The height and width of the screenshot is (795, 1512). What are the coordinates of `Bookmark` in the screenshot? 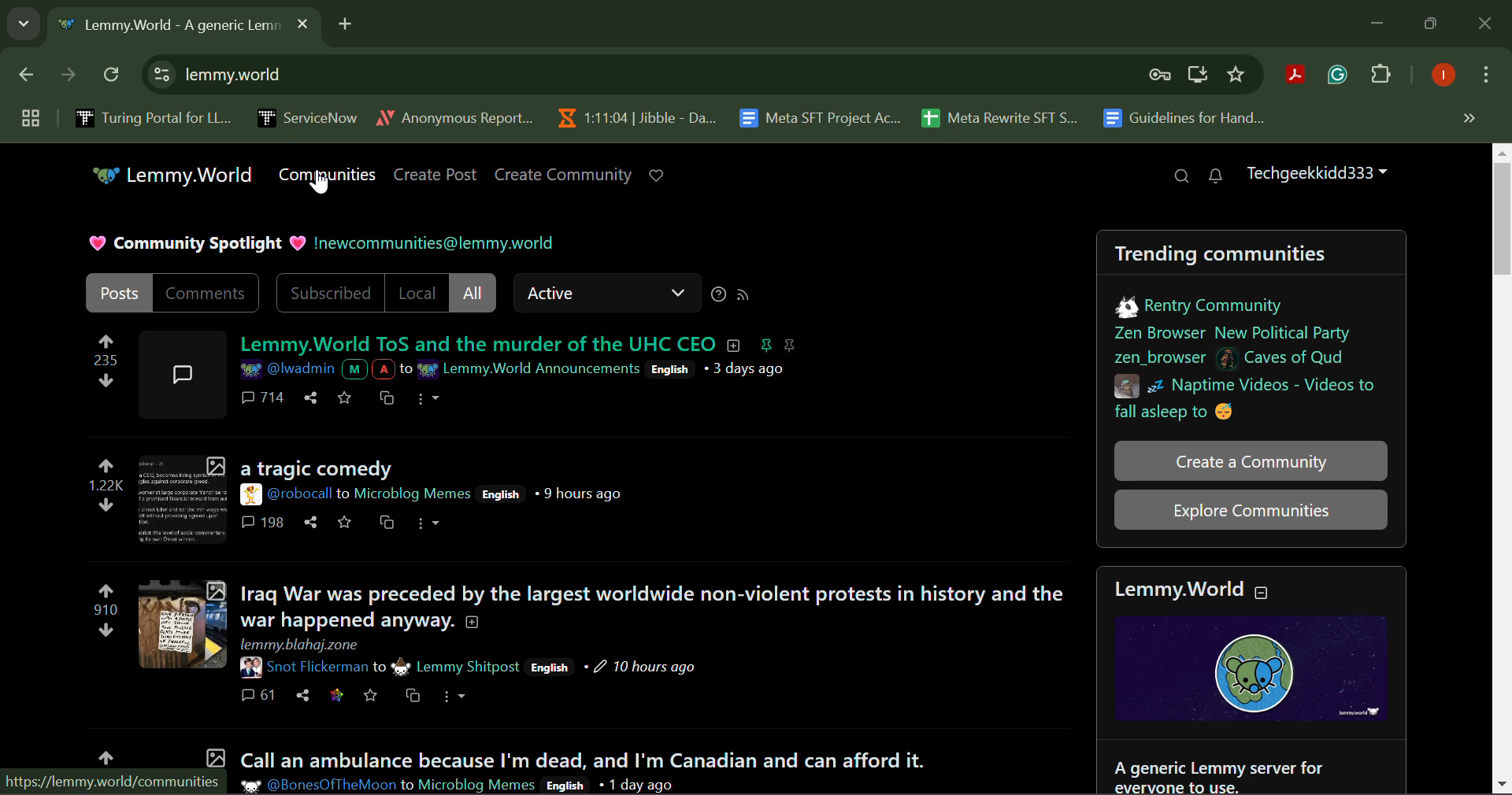 It's located at (1237, 75).